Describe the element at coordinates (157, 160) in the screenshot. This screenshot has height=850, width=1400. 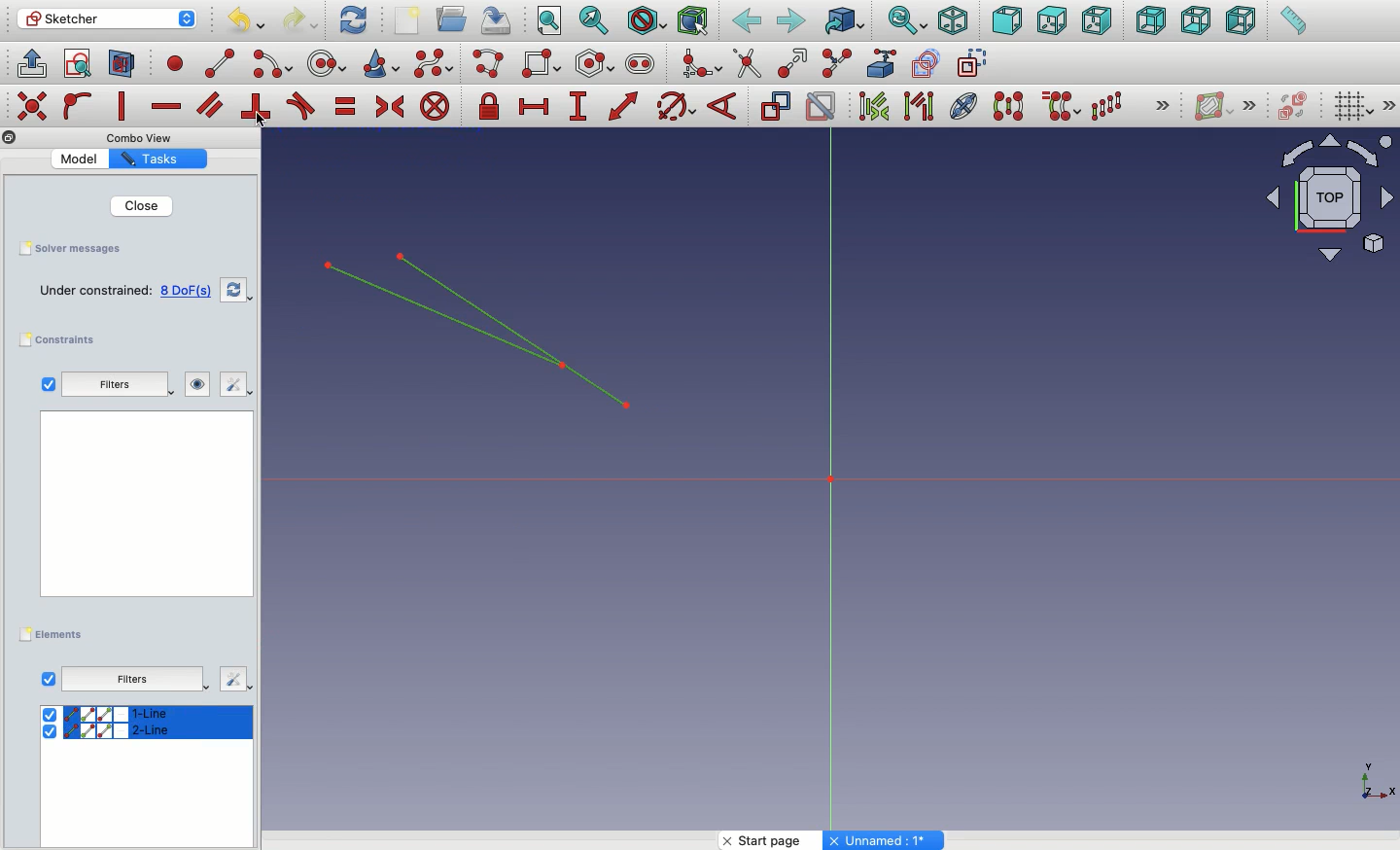
I see `Property ` at that location.